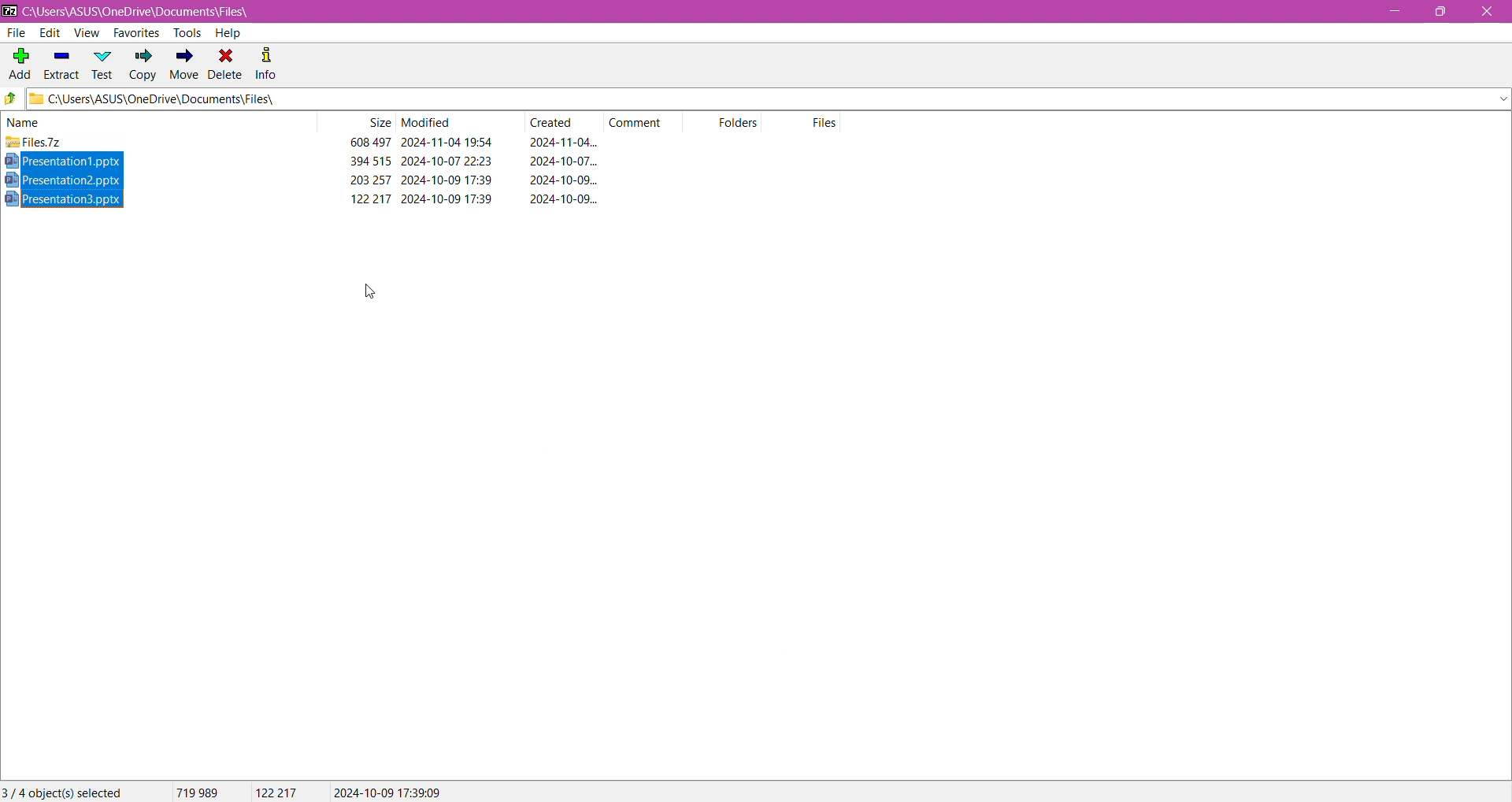 This screenshot has width=1512, height=802. I want to click on Modified, so click(428, 123).